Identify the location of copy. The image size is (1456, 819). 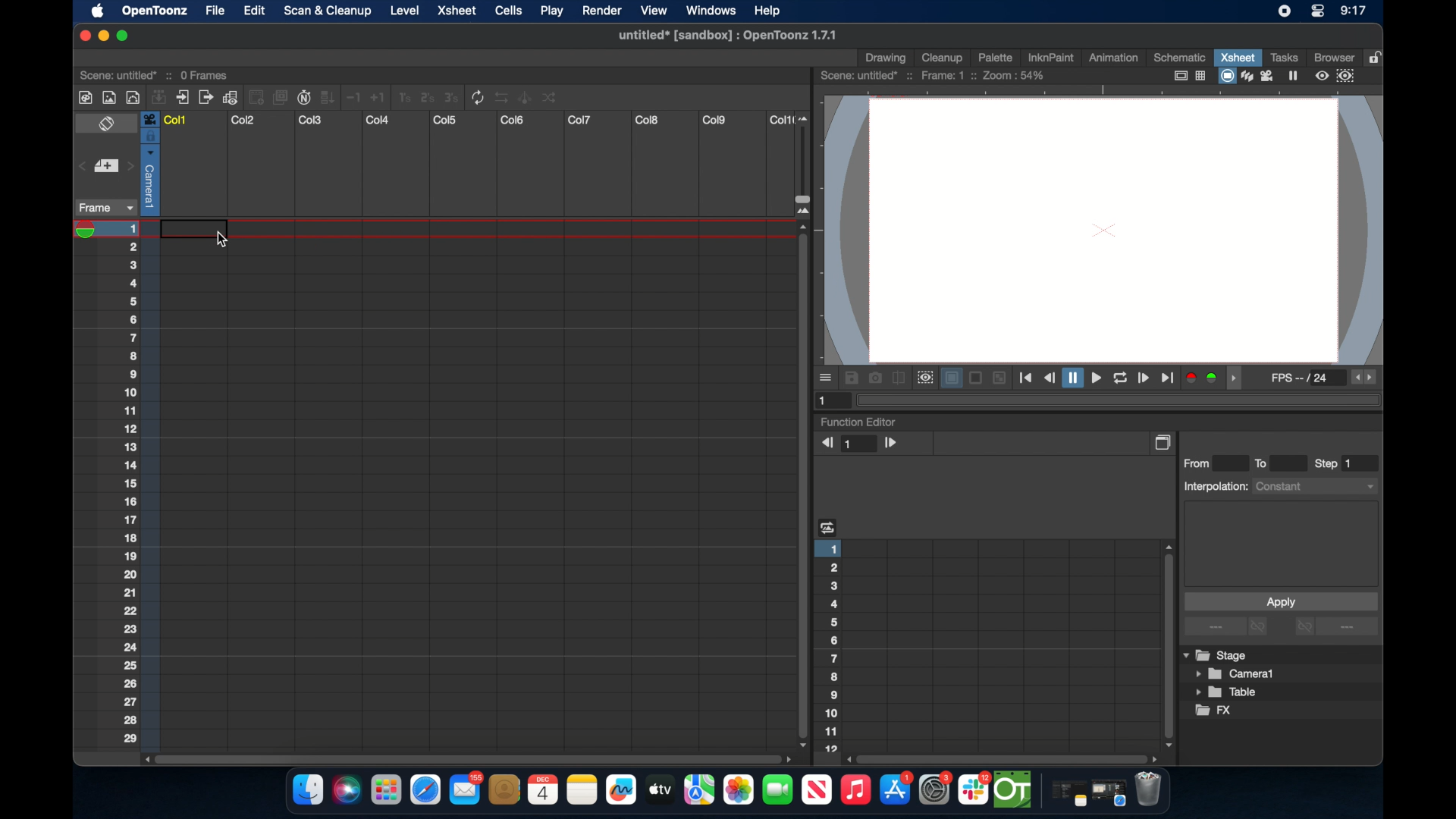
(1165, 442).